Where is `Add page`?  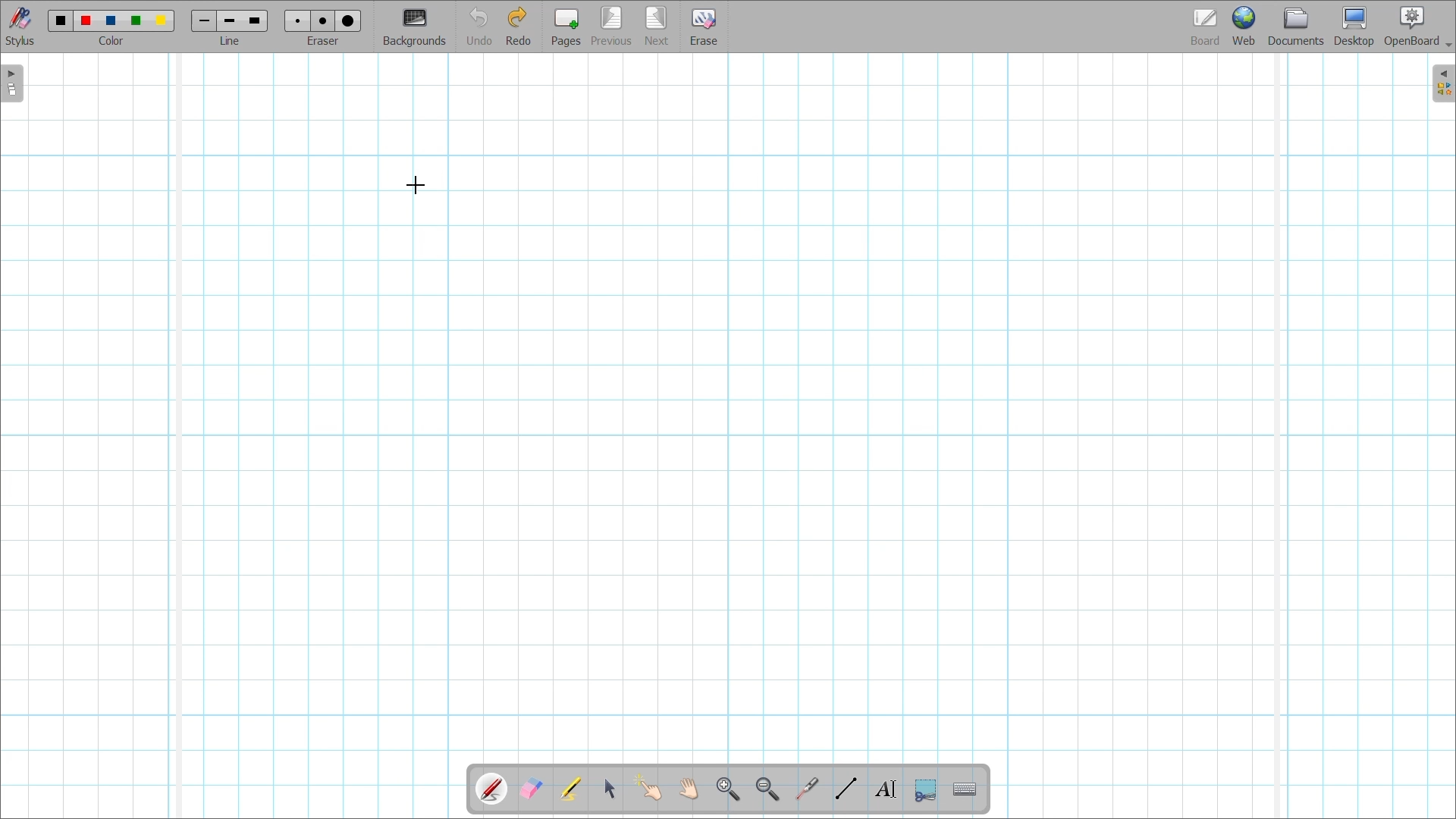
Add page is located at coordinates (566, 27).